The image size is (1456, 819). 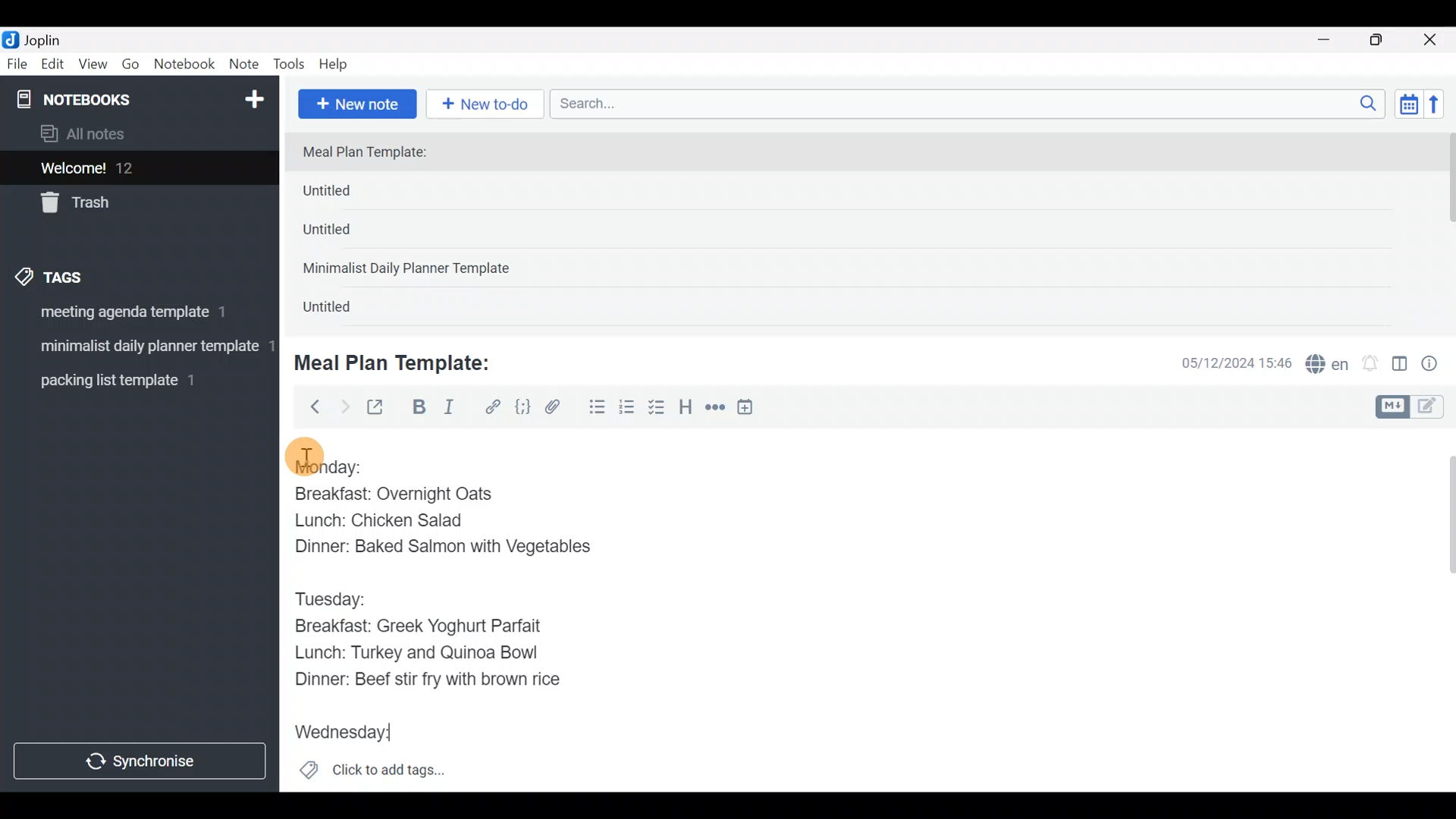 I want to click on Help, so click(x=339, y=61).